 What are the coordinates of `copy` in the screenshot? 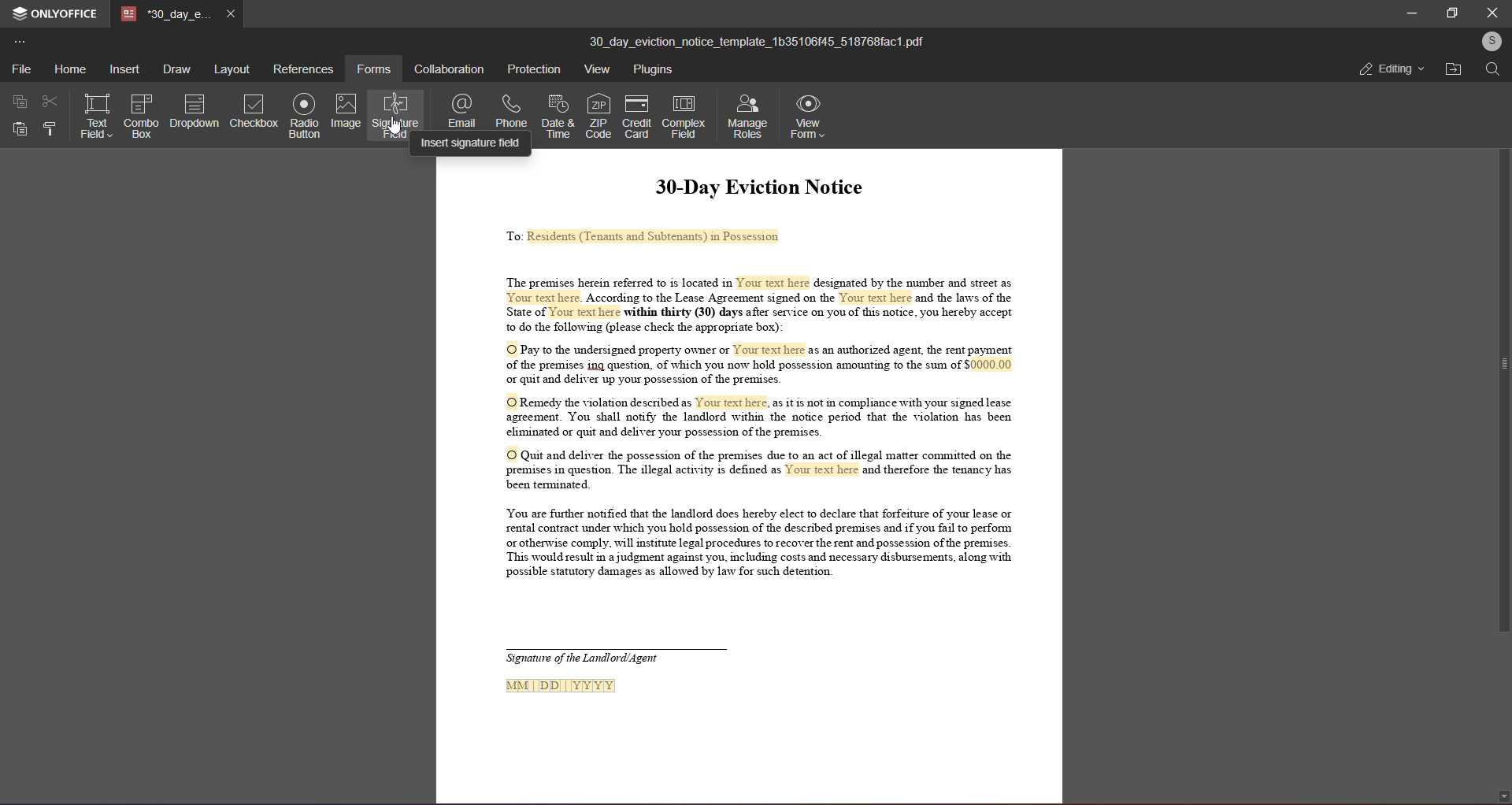 It's located at (20, 101).